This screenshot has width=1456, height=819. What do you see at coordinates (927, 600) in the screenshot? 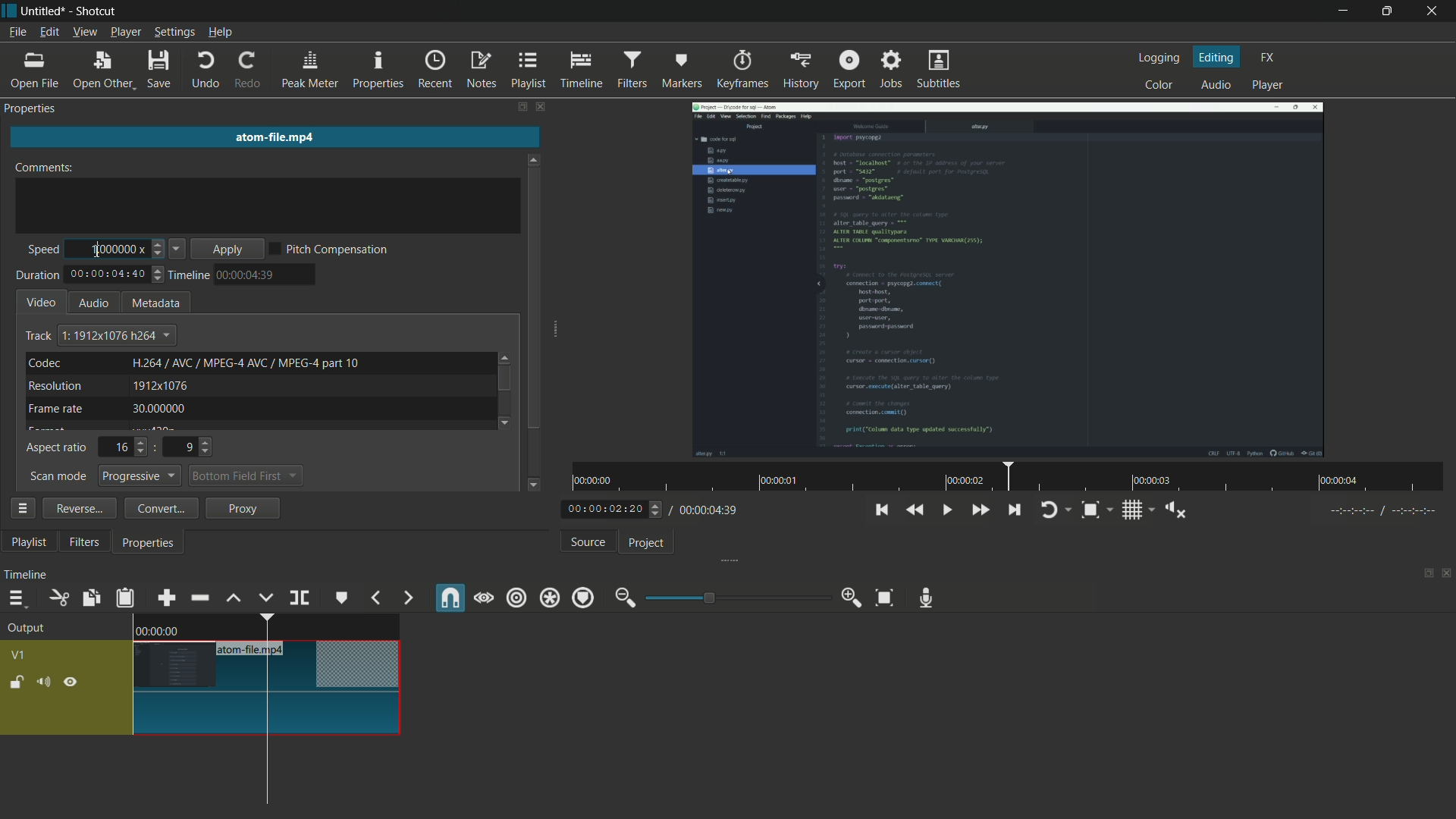
I see `record audio` at bounding box center [927, 600].